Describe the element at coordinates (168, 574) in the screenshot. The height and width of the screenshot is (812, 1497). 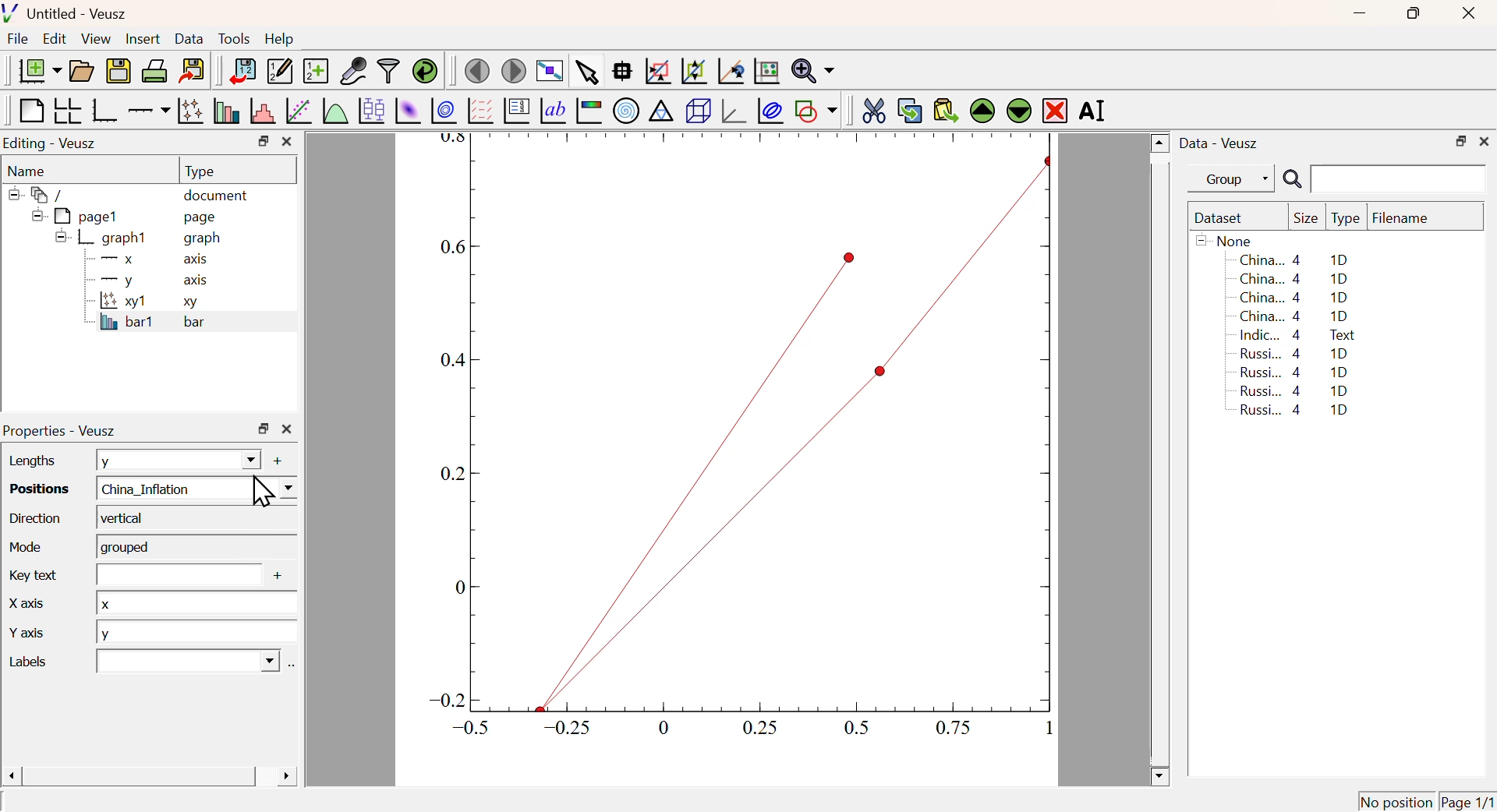
I see `Input` at that location.